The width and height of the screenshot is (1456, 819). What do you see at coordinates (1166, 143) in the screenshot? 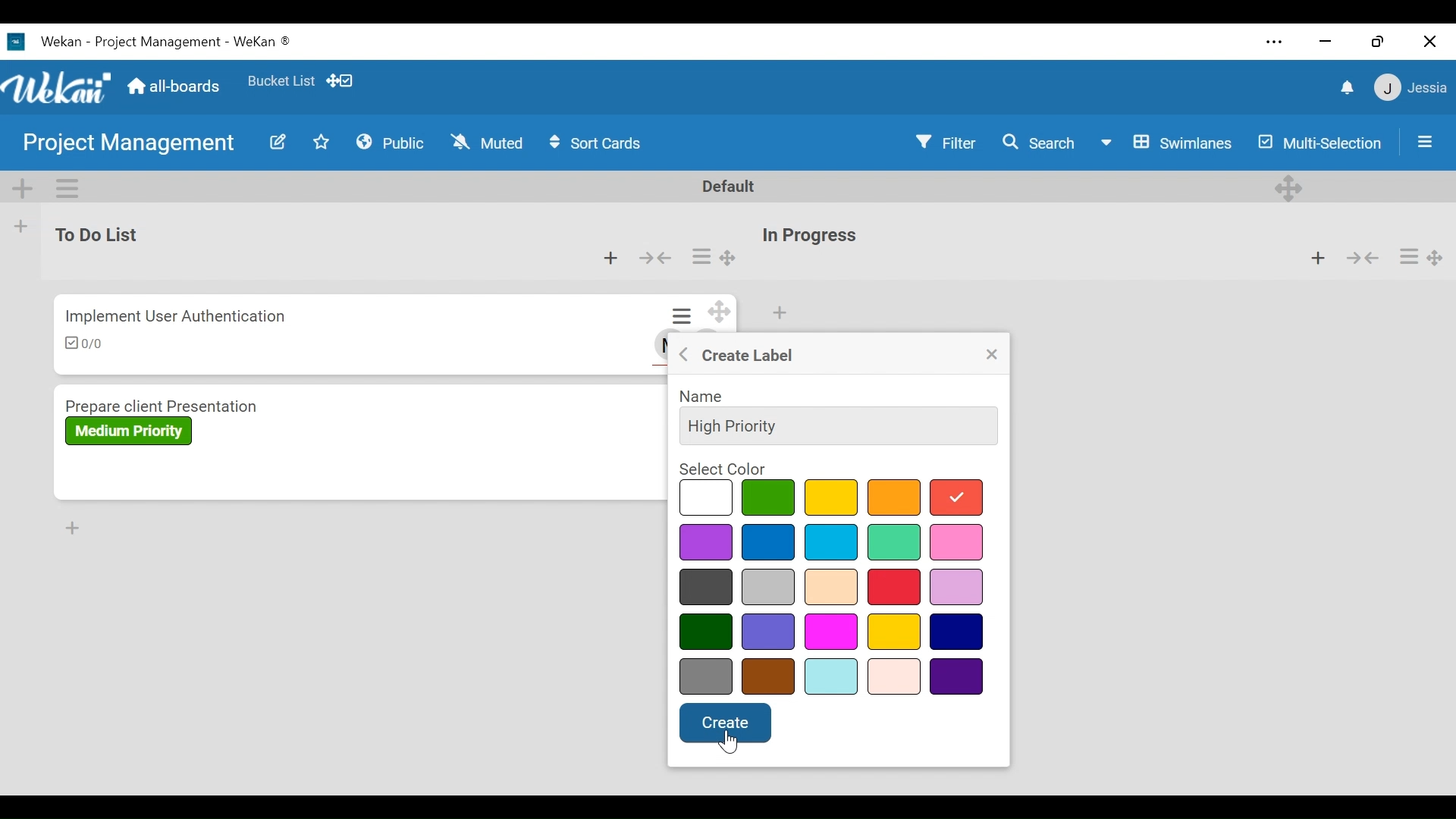
I see `Board View` at bounding box center [1166, 143].